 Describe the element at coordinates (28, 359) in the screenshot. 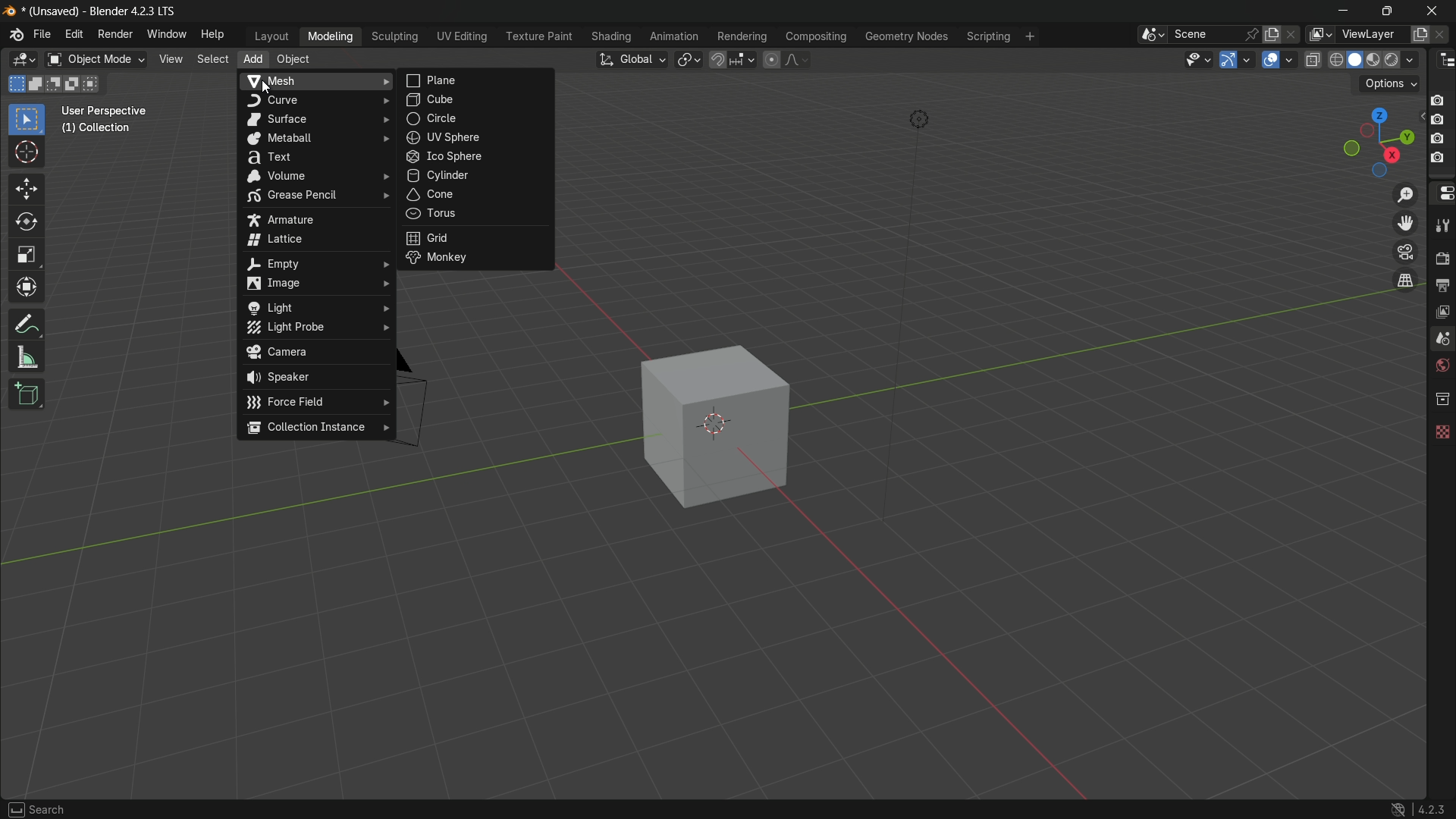

I see `measure` at that location.